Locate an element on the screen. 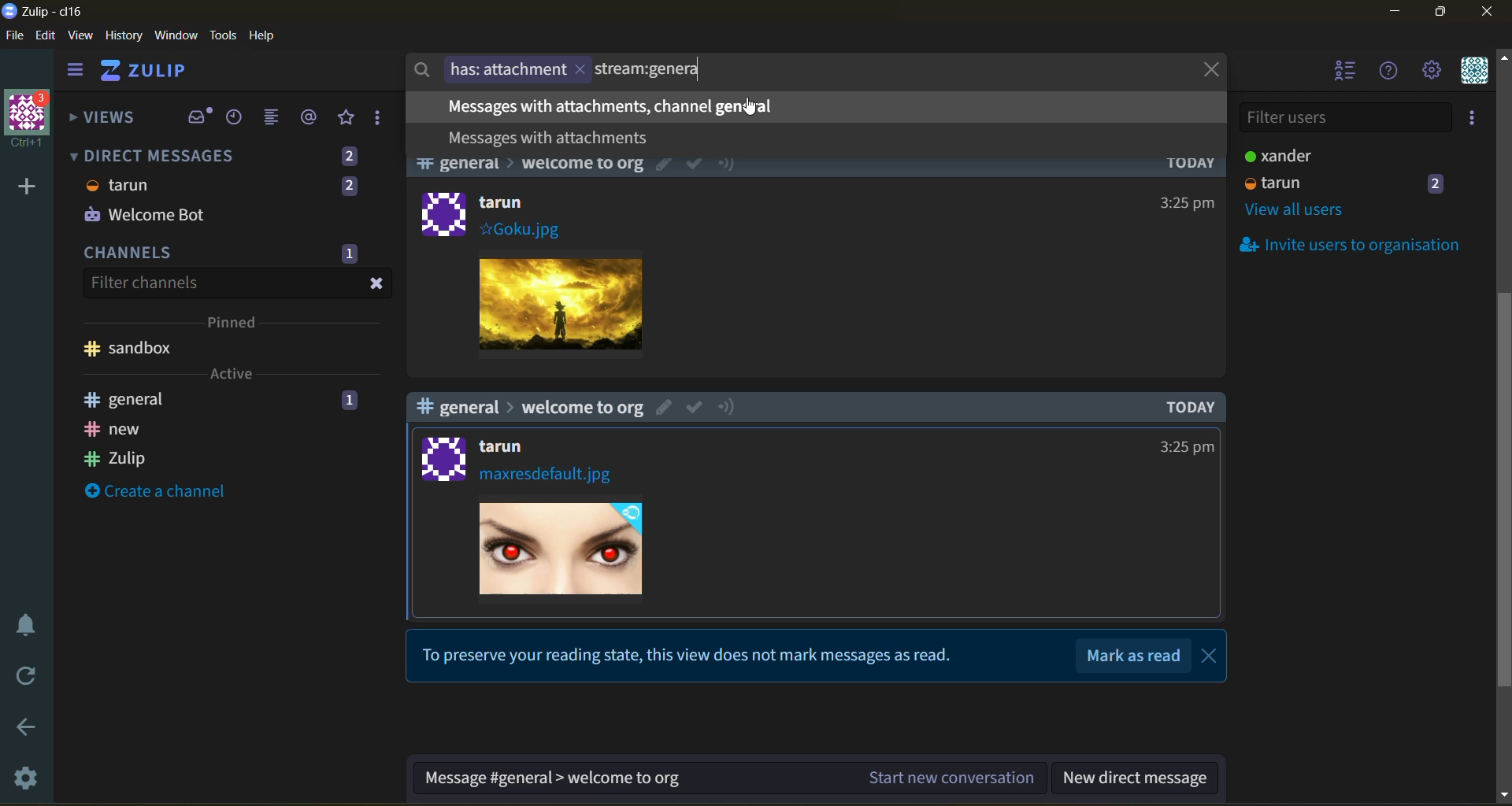 The height and width of the screenshot is (806, 1512). help is located at coordinates (1389, 72).